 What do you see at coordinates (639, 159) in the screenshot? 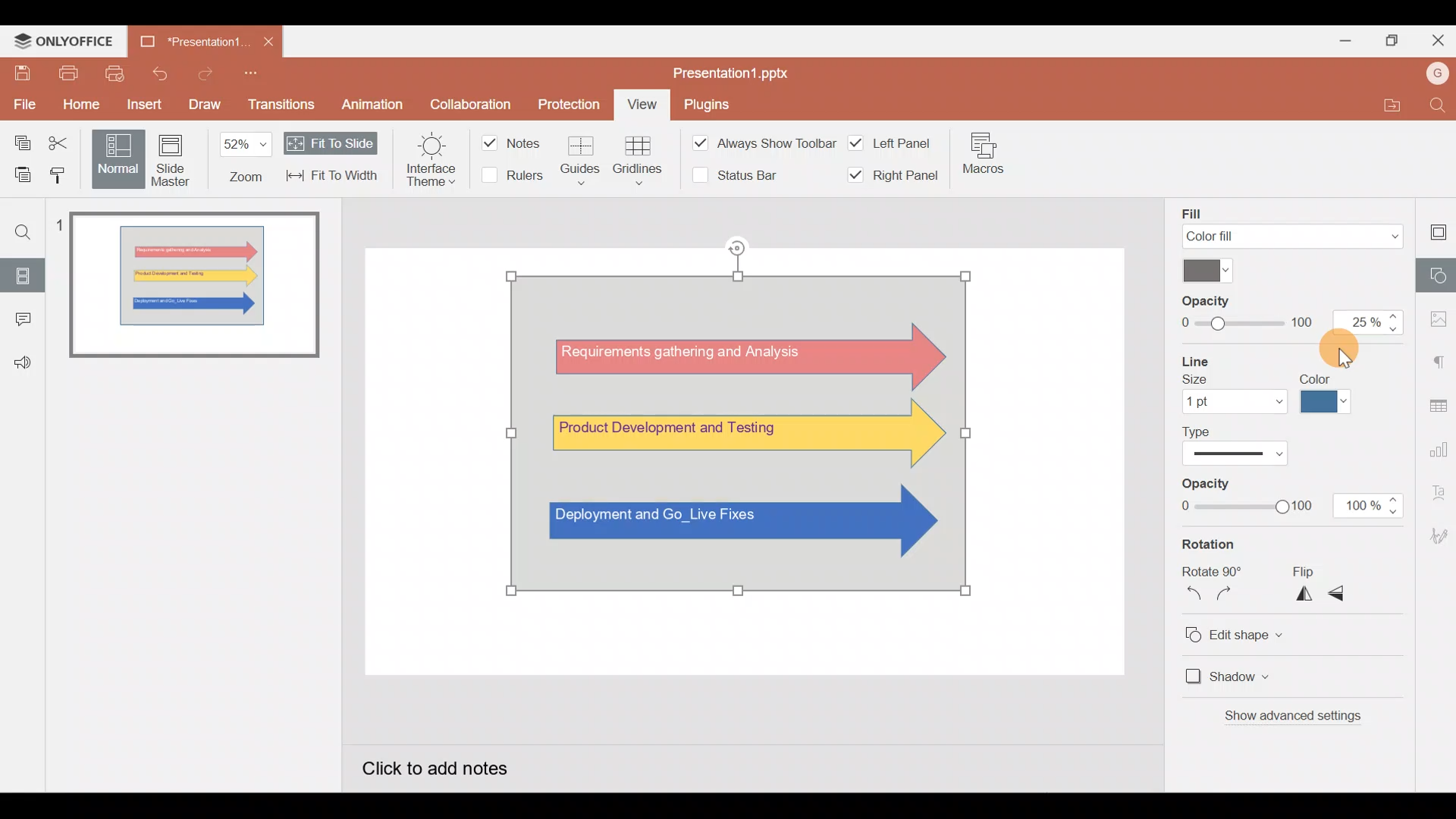
I see `Gridlines` at bounding box center [639, 159].